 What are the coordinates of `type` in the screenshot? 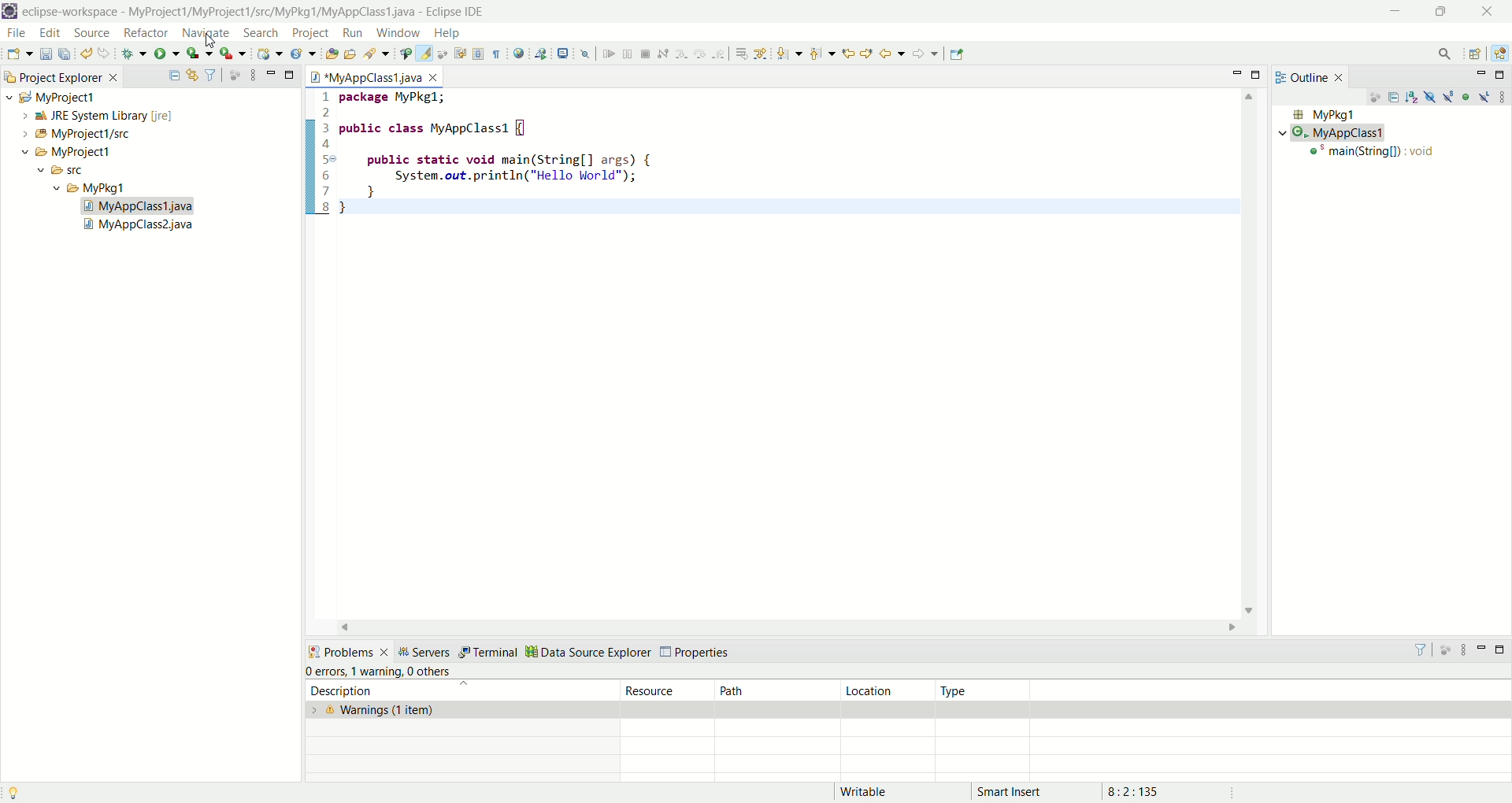 It's located at (986, 690).